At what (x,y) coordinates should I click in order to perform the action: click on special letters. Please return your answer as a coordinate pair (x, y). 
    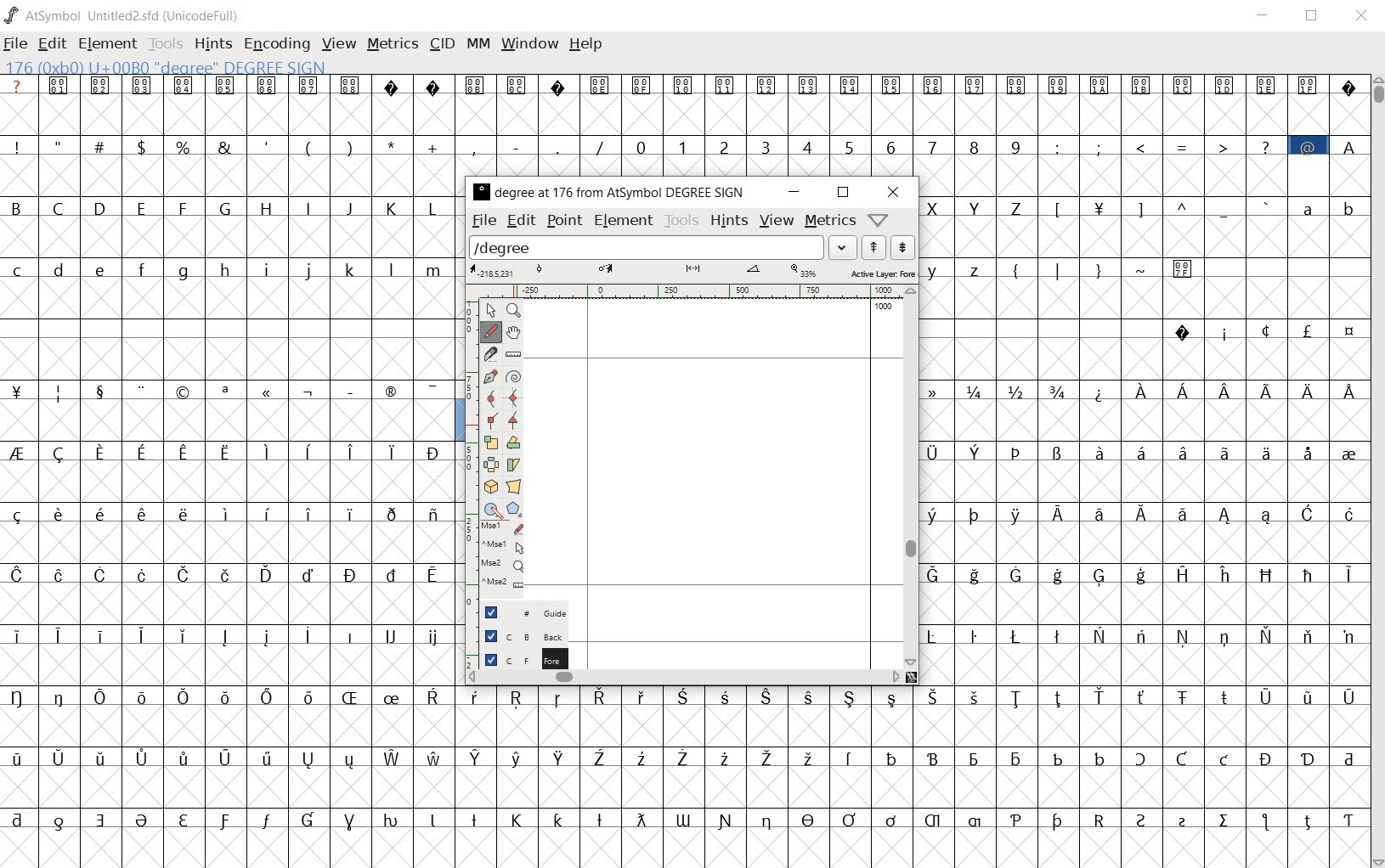
    Looking at the image, I should click on (1140, 573).